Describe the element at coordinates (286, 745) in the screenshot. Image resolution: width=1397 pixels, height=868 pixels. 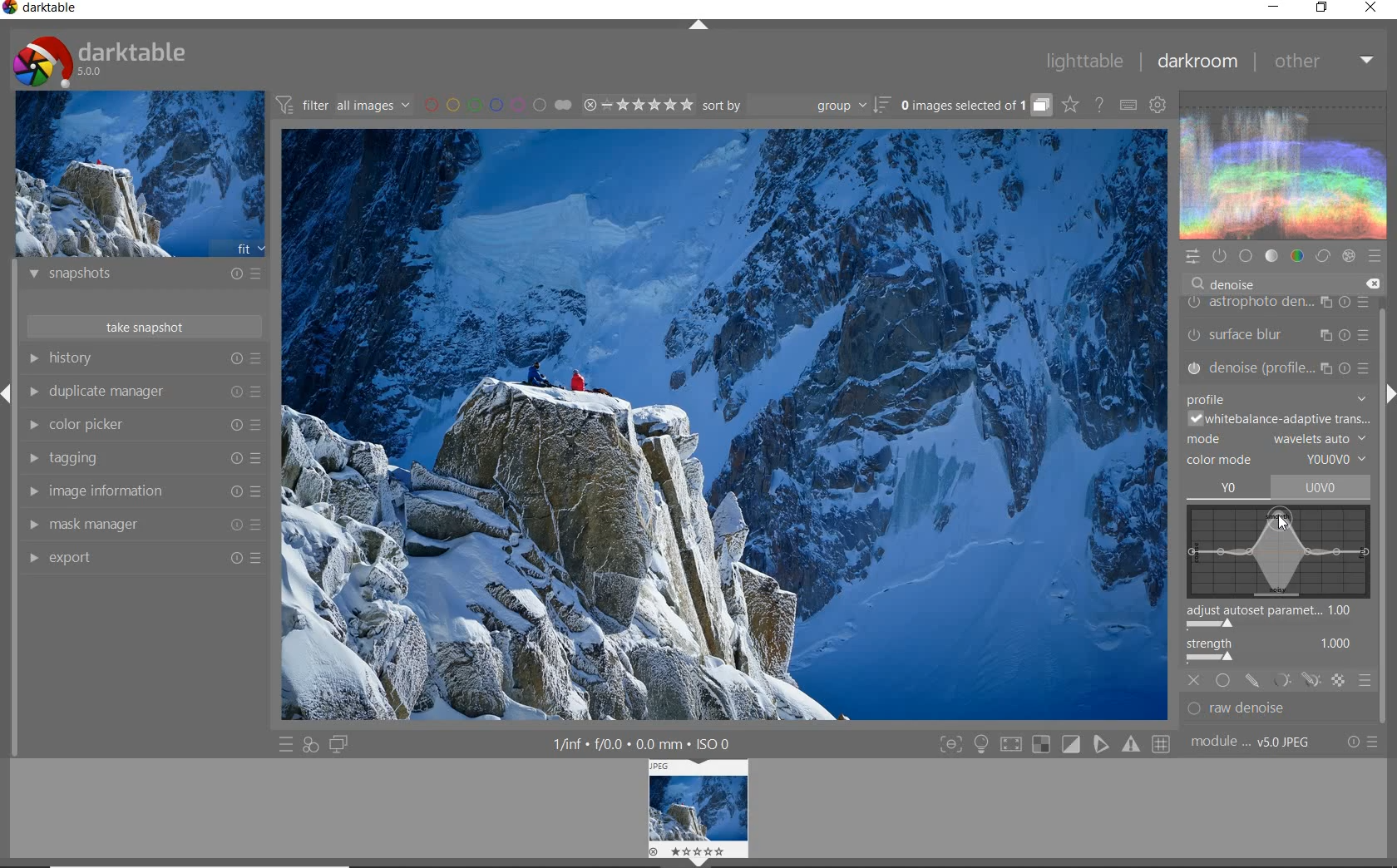
I see `quick access to presets` at that location.